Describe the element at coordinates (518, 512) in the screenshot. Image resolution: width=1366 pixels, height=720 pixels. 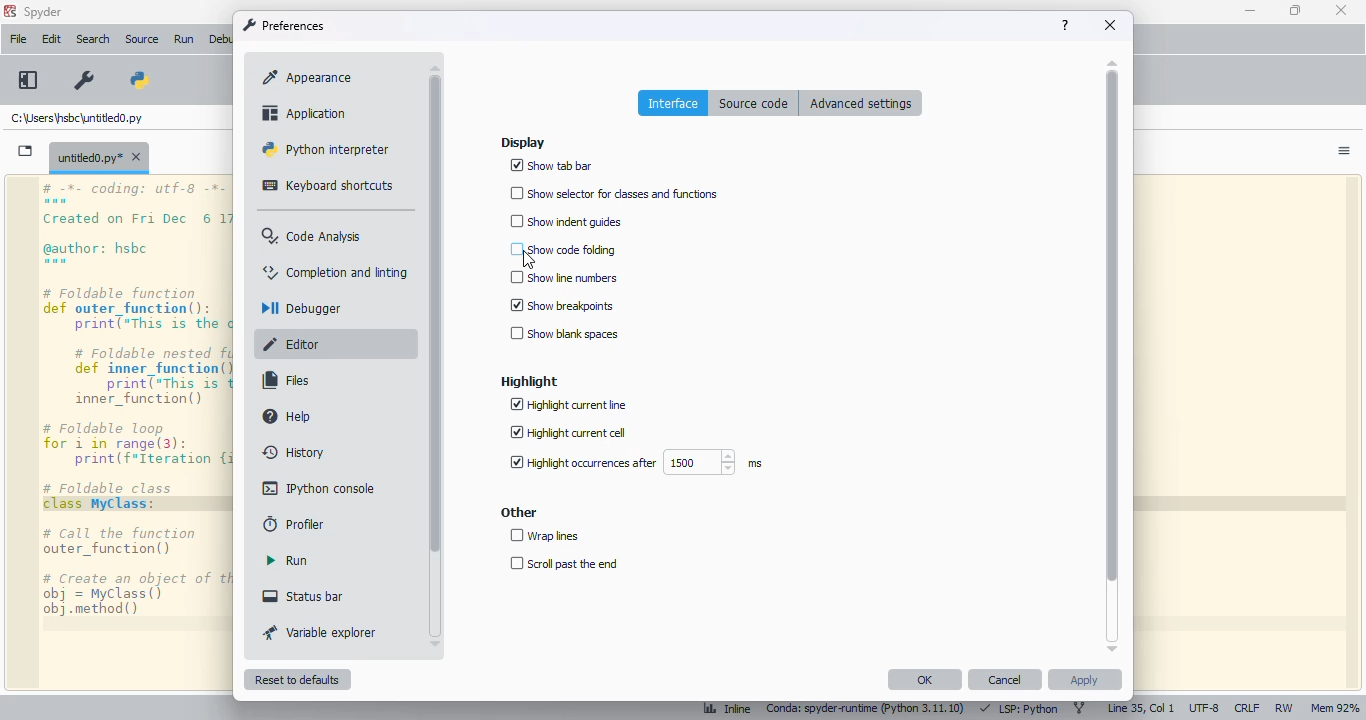
I see `other` at that location.